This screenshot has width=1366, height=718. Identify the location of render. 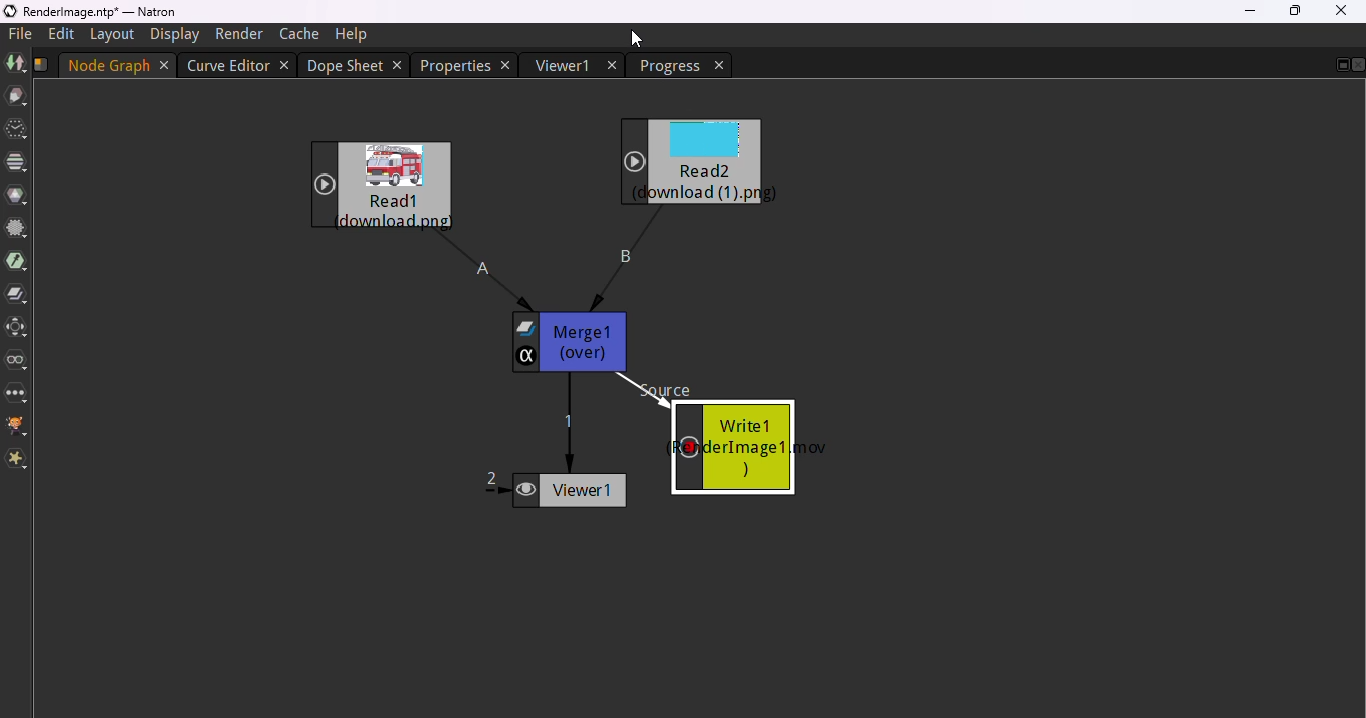
(239, 34).